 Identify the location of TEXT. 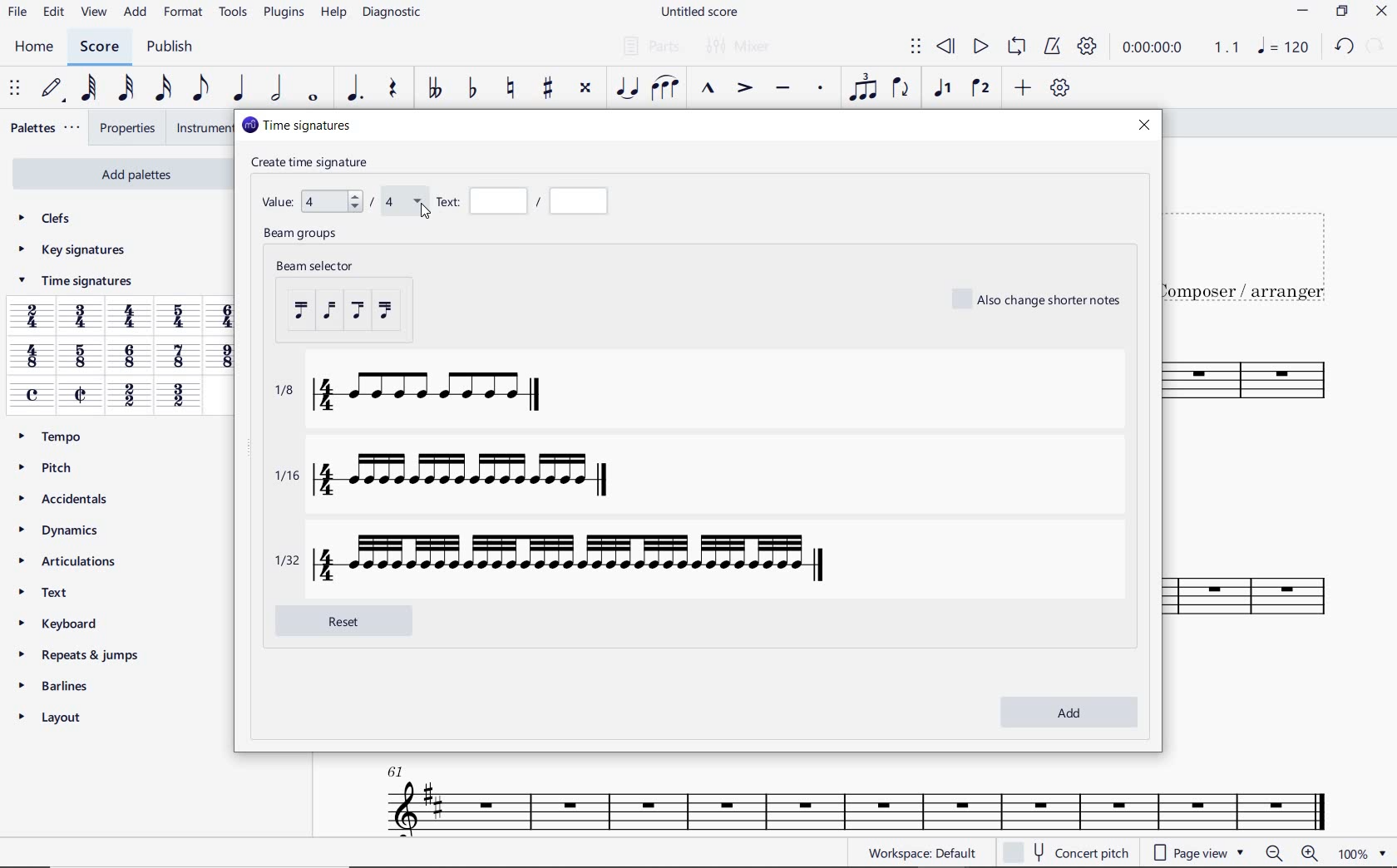
(50, 591).